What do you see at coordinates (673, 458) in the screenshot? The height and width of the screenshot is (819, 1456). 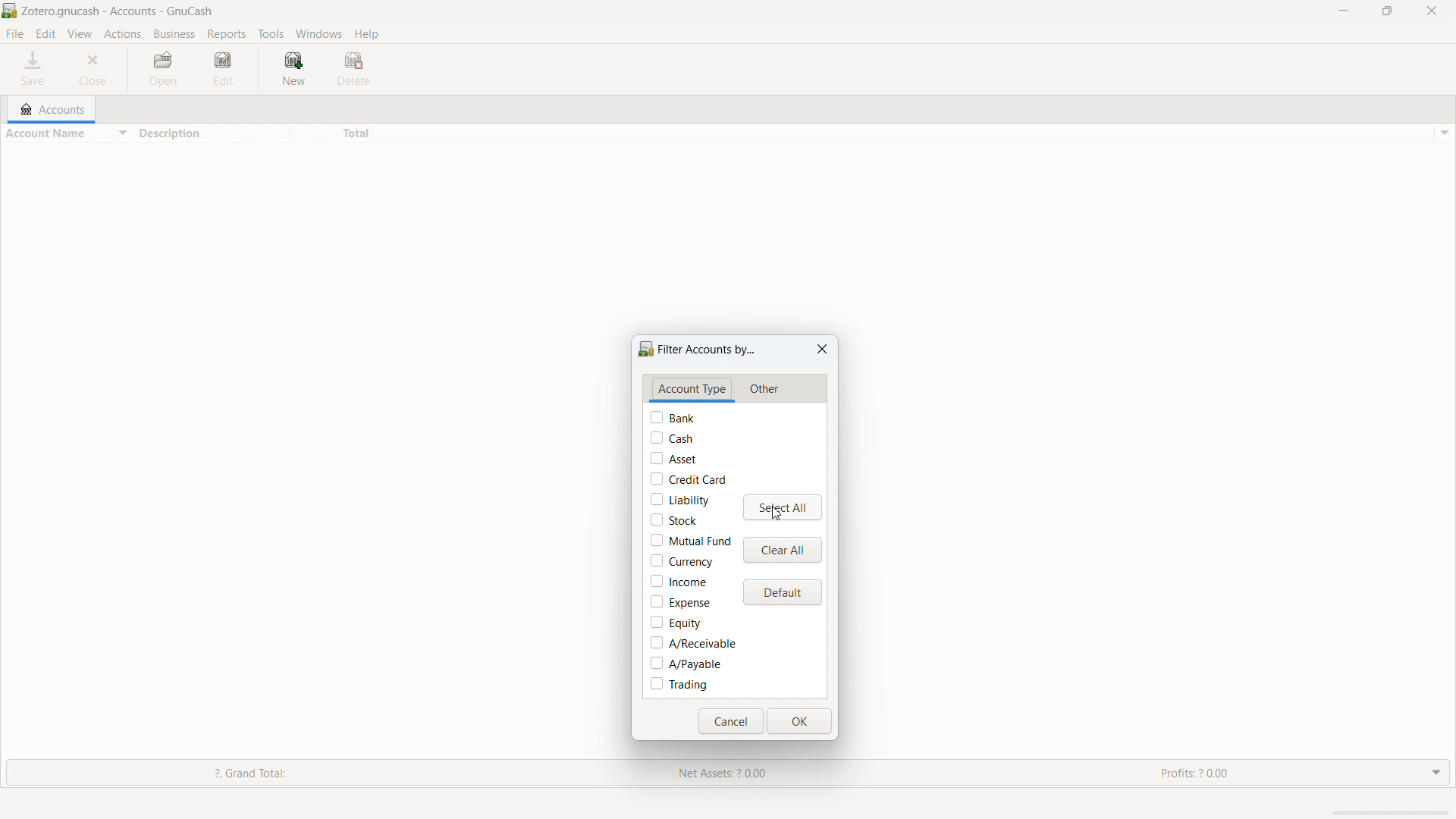 I see `asset` at bounding box center [673, 458].